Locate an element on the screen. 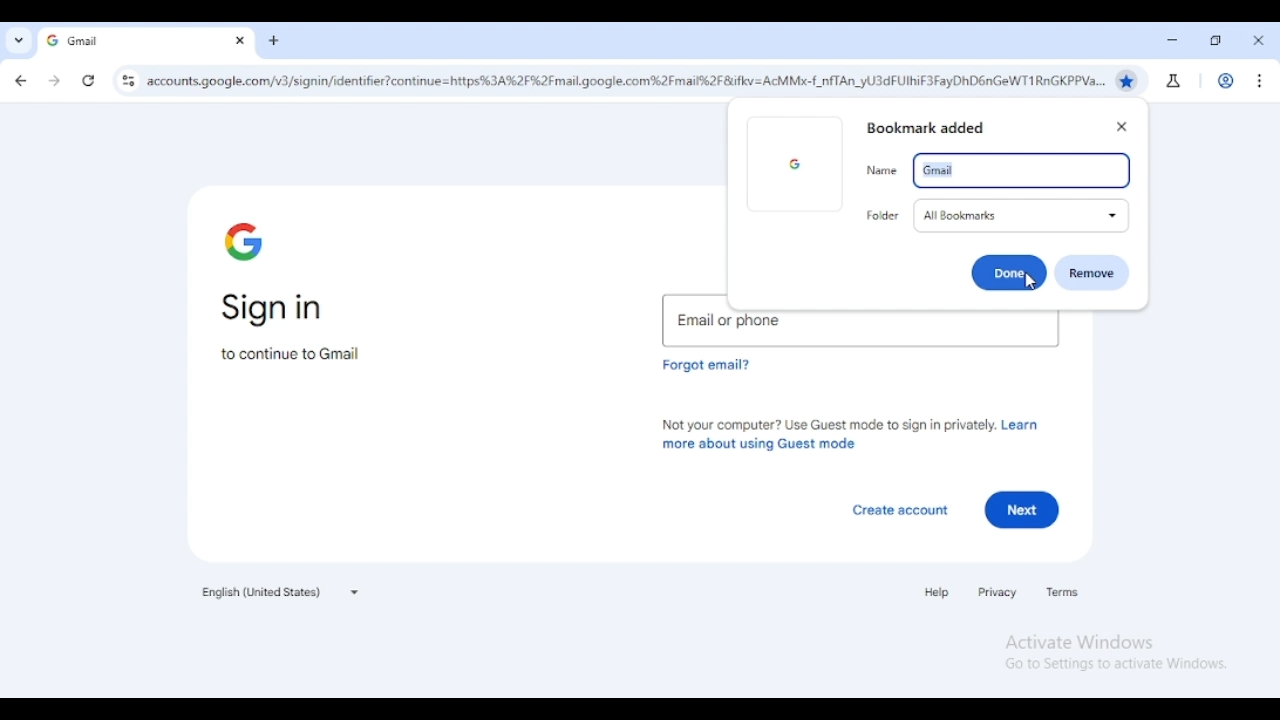  click to go back is located at coordinates (22, 82).